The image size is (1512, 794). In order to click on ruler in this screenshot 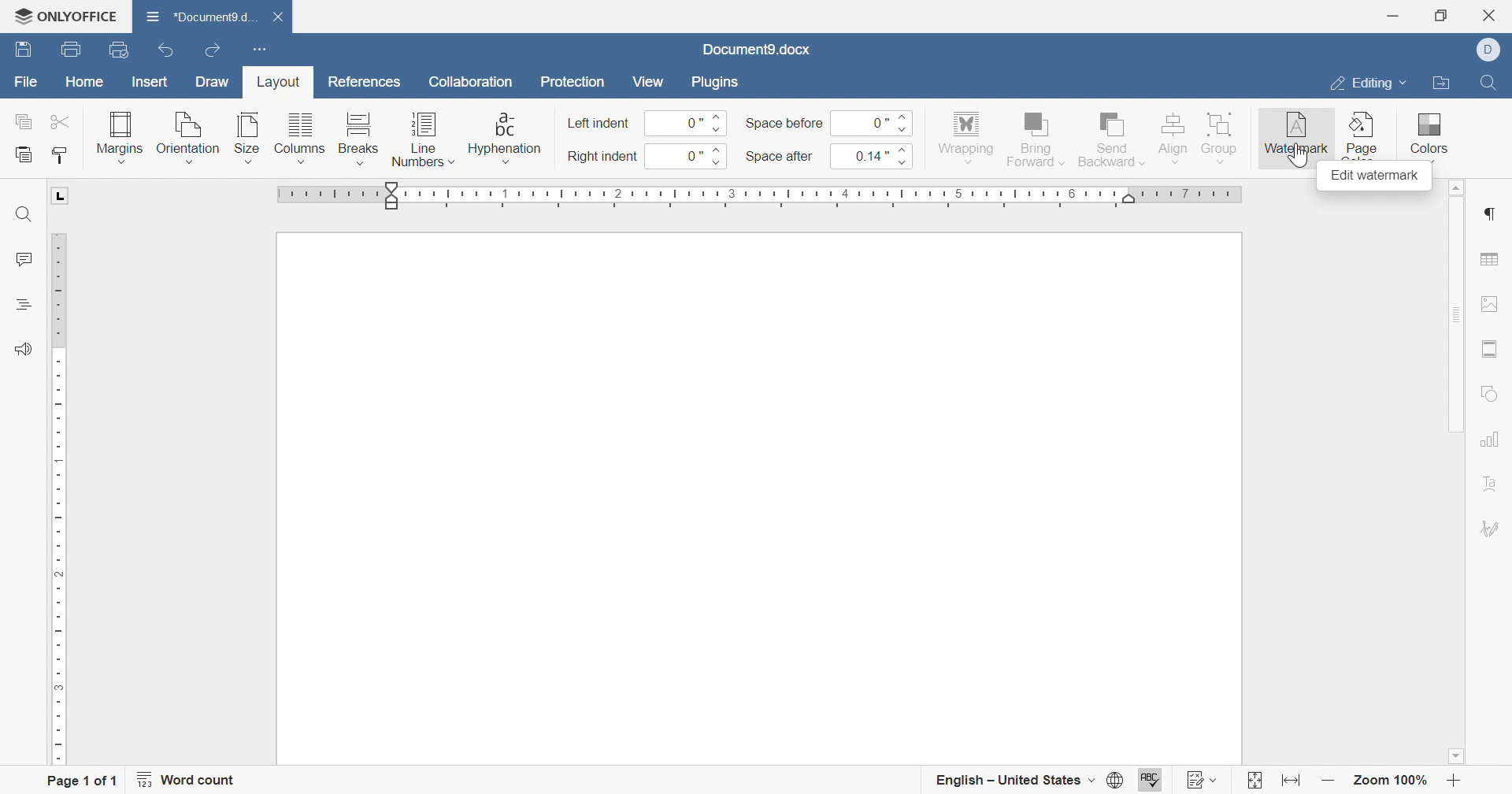, I will do `click(59, 499)`.